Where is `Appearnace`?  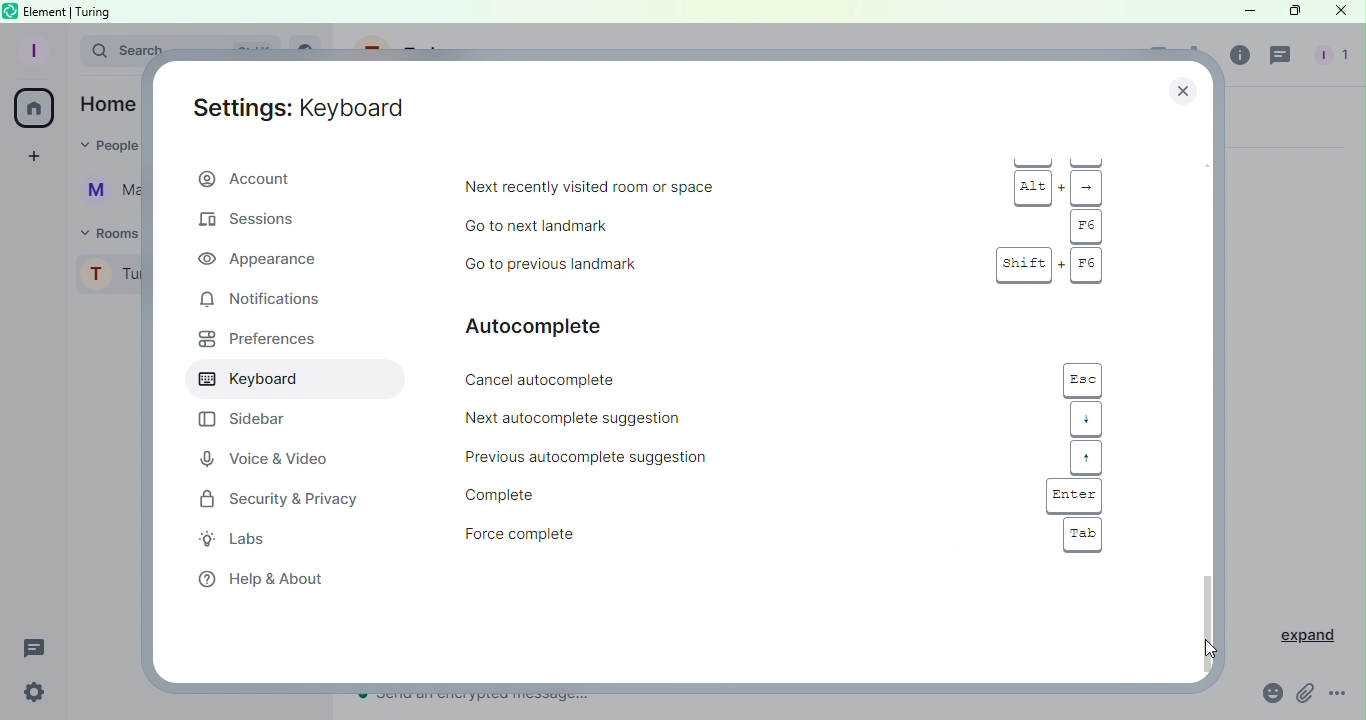
Appearnace is located at coordinates (262, 259).